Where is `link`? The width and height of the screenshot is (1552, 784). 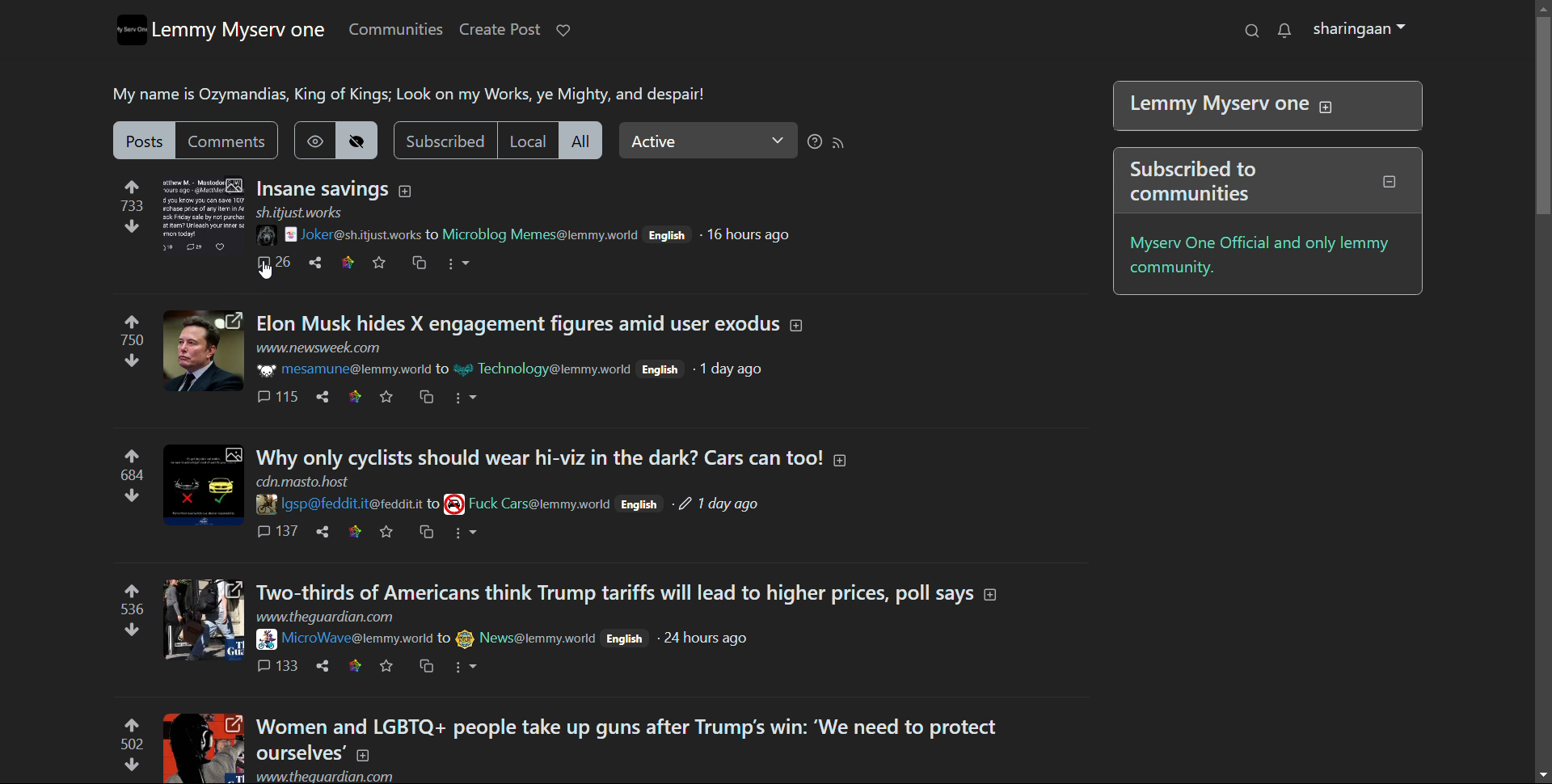
link is located at coordinates (354, 397).